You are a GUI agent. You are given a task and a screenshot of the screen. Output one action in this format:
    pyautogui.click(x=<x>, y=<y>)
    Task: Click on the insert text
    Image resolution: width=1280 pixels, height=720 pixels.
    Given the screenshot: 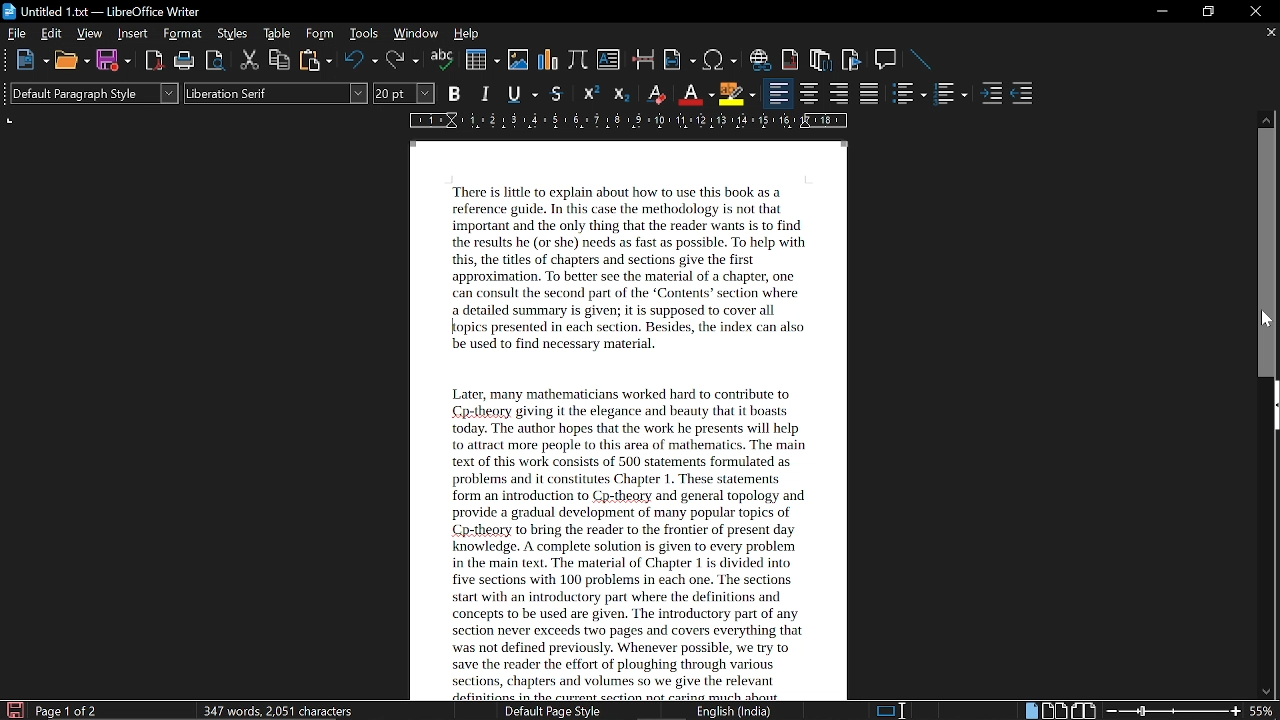 What is the action you would take?
    pyautogui.click(x=608, y=62)
    